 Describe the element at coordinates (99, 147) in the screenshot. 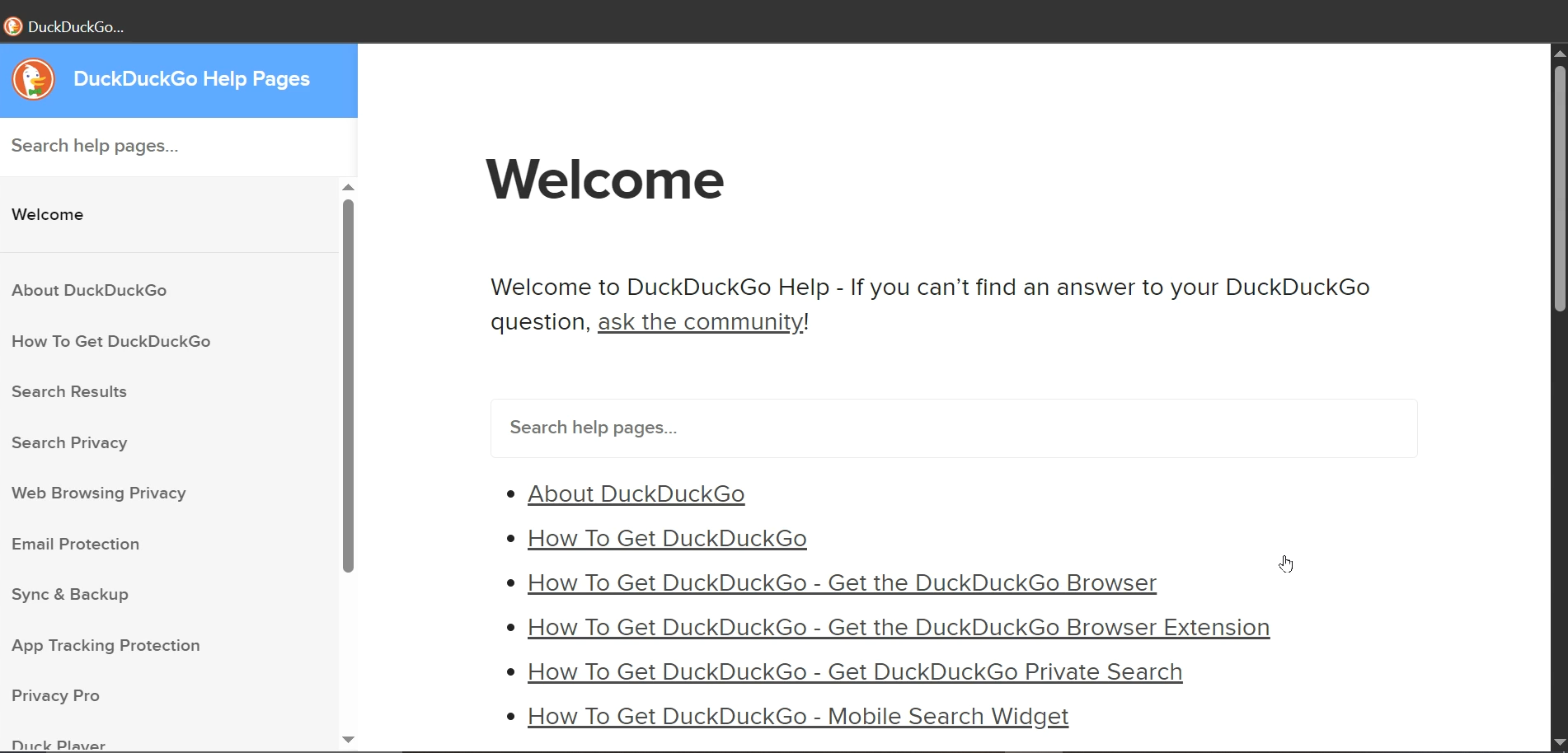

I see `Search help pages...` at that location.